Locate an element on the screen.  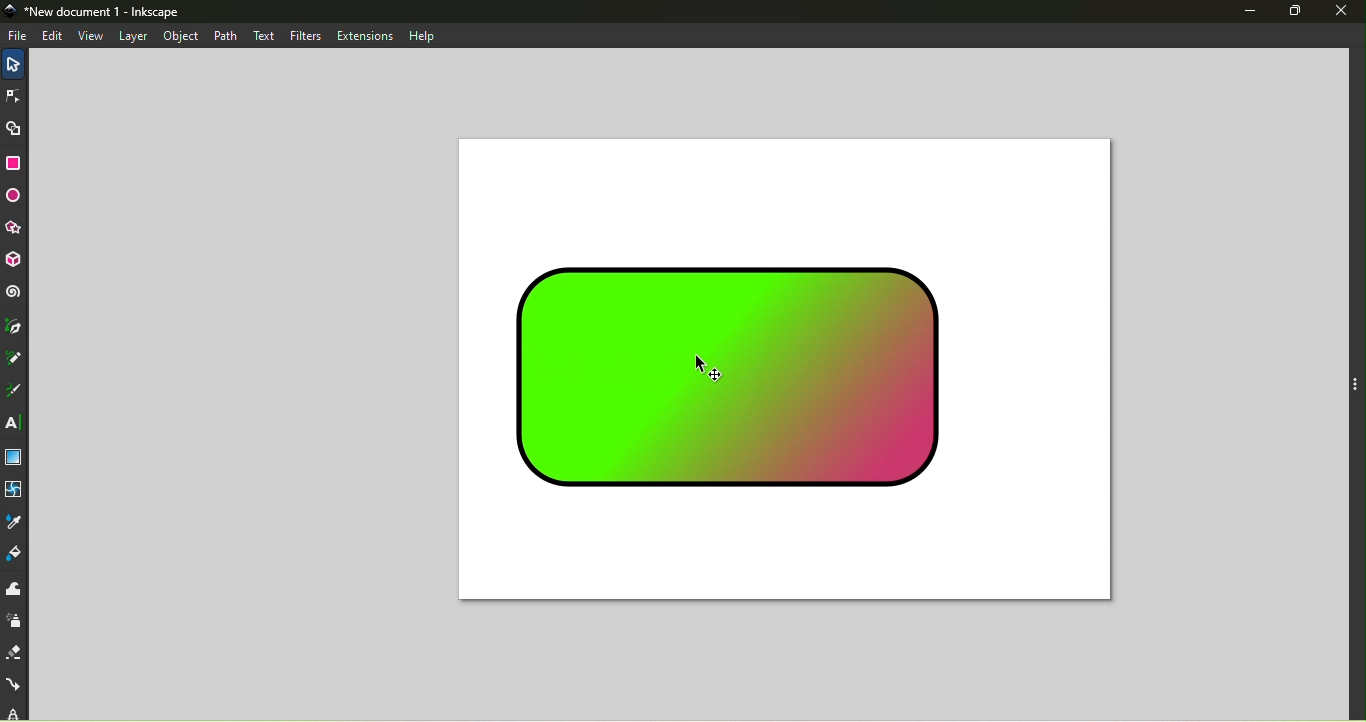
Mesh tool is located at coordinates (16, 492).